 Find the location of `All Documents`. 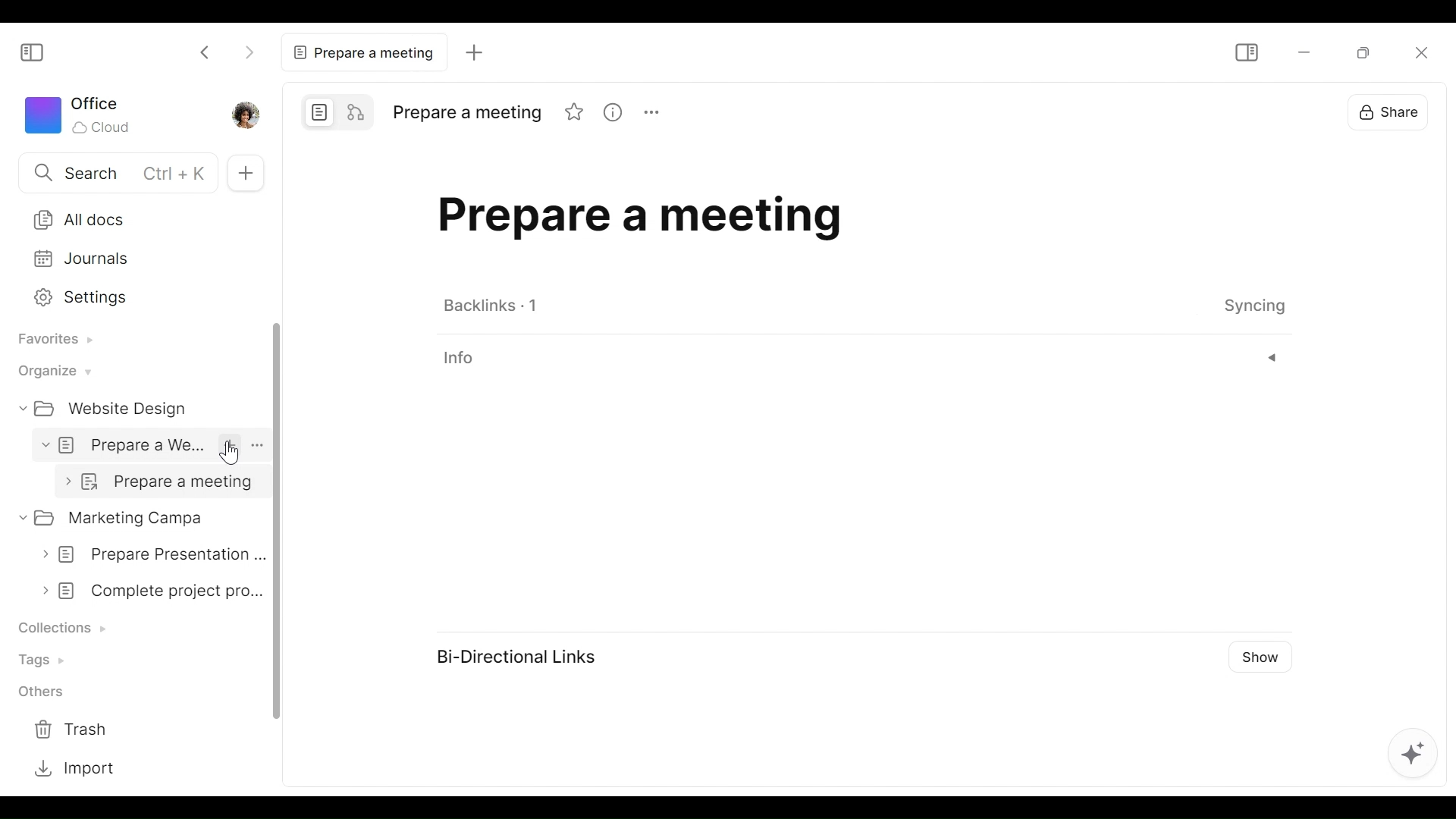

All Documents is located at coordinates (137, 219).